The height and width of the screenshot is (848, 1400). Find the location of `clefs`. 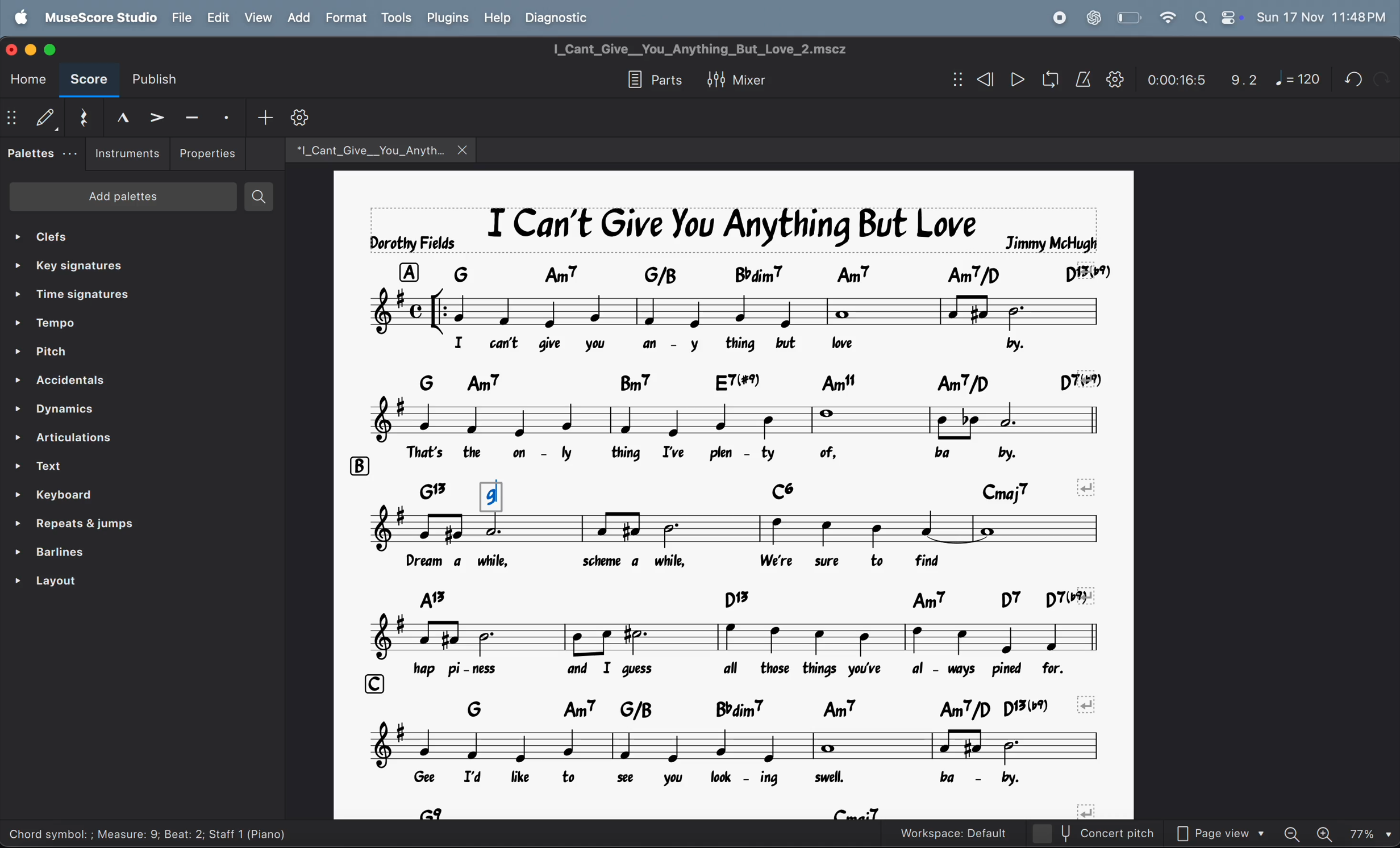

clefs is located at coordinates (126, 236).